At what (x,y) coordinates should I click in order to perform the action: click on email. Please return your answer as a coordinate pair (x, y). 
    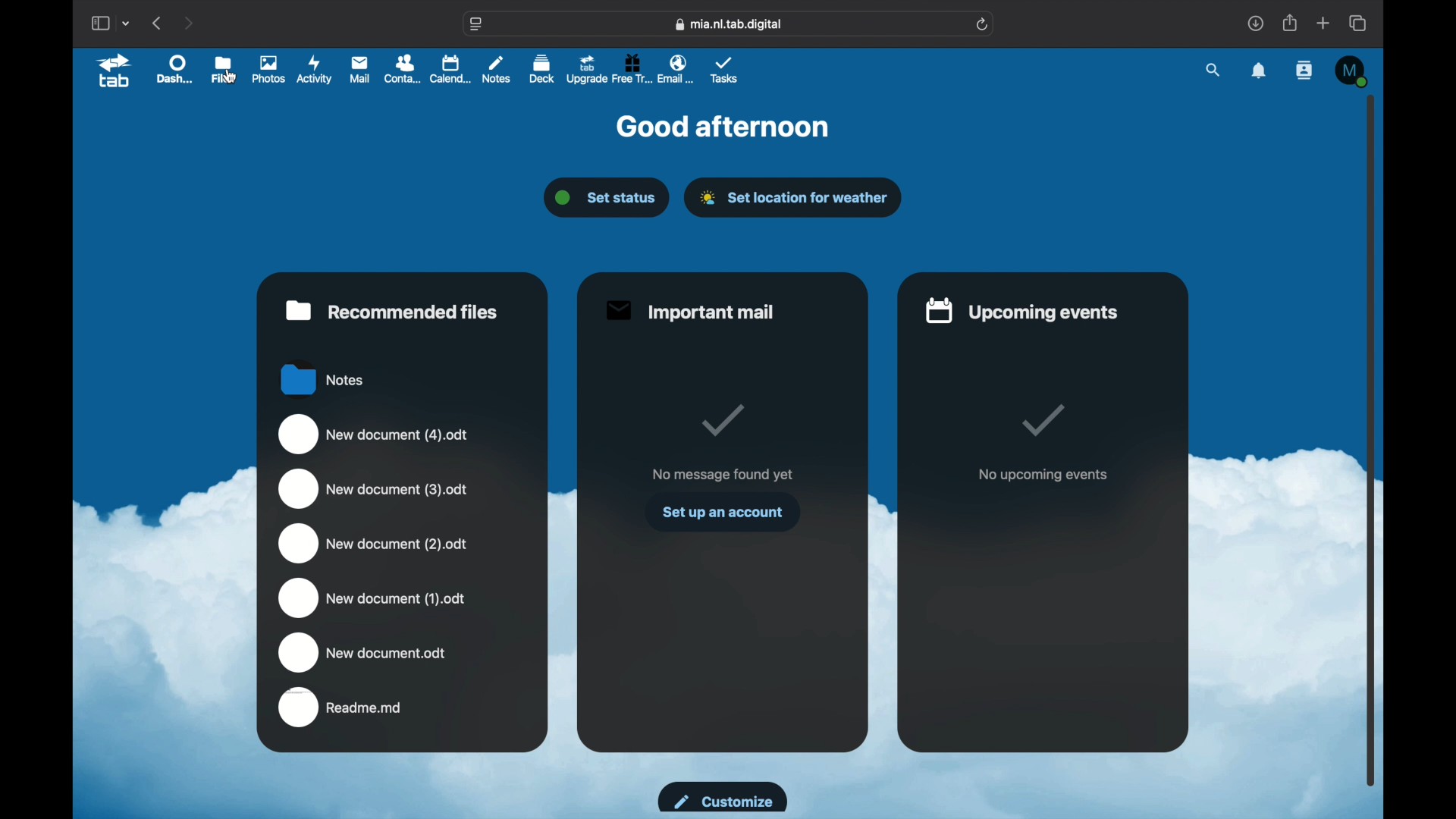
    Looking at the image, I should click on (679, 70).